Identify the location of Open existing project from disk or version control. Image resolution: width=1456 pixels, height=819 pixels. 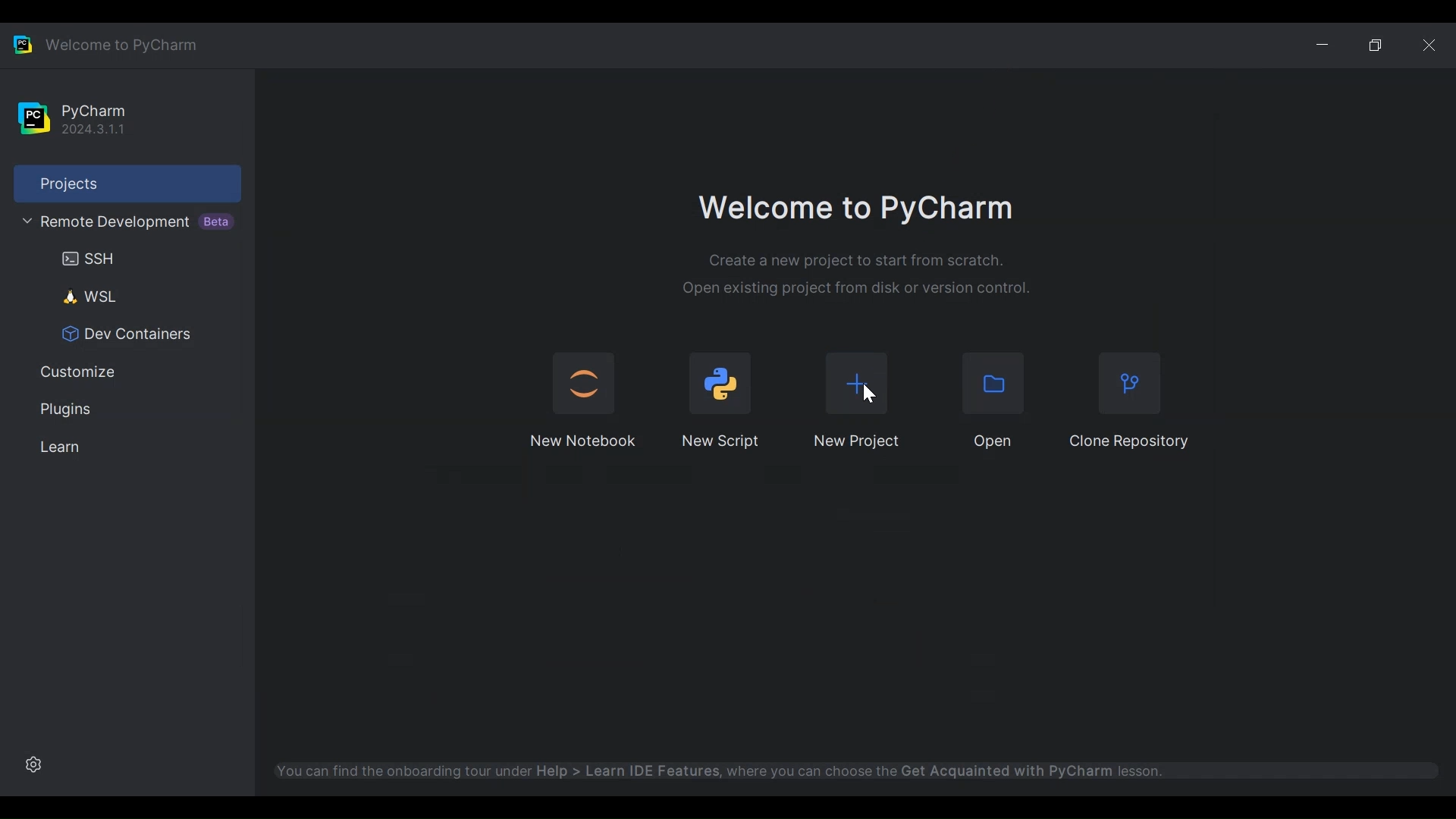
(857, 289).